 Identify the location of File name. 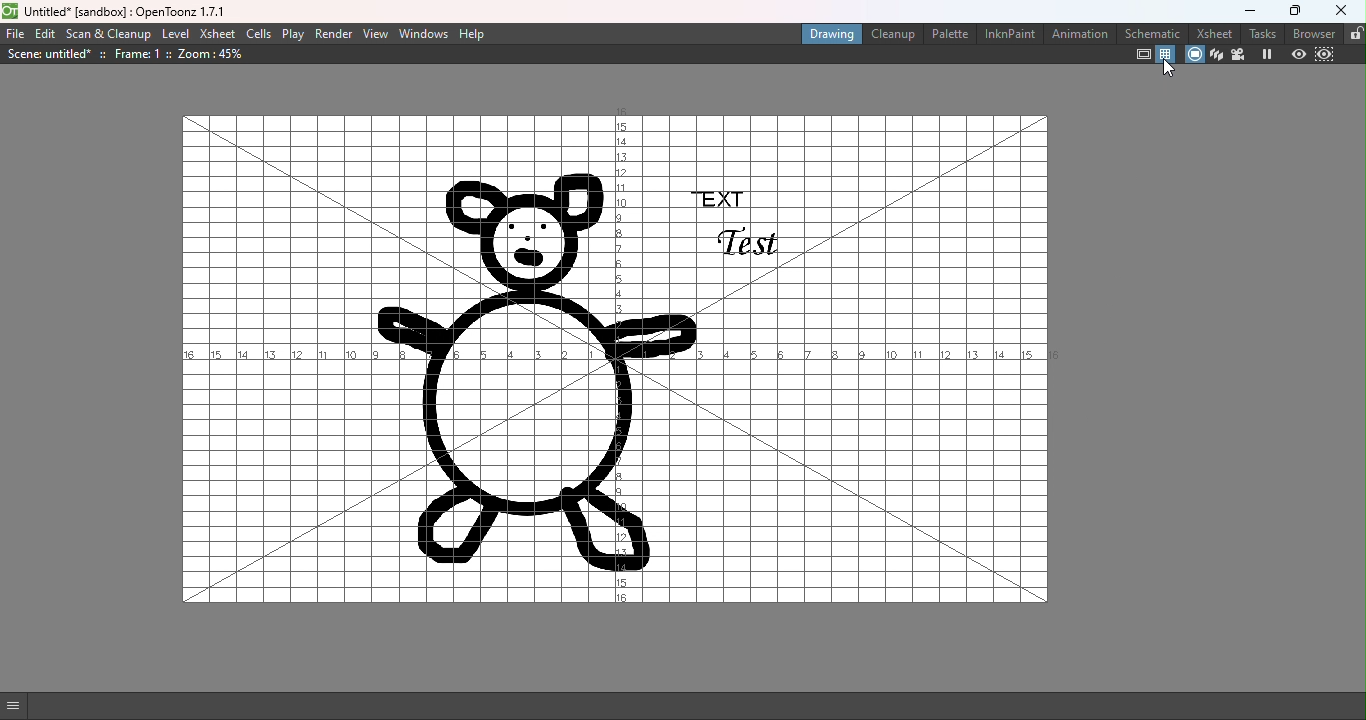
(119, 11).